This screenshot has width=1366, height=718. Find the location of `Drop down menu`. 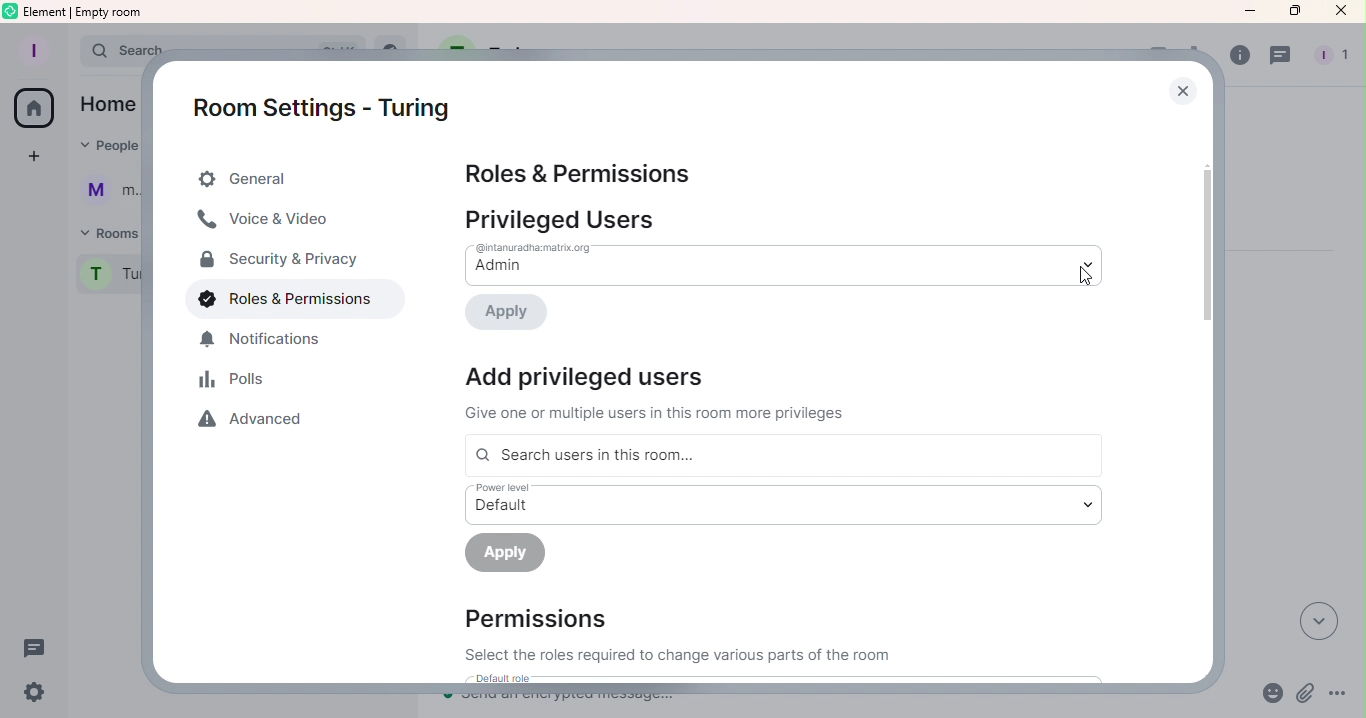

Drop down menu is located at coordinates (782, 264).